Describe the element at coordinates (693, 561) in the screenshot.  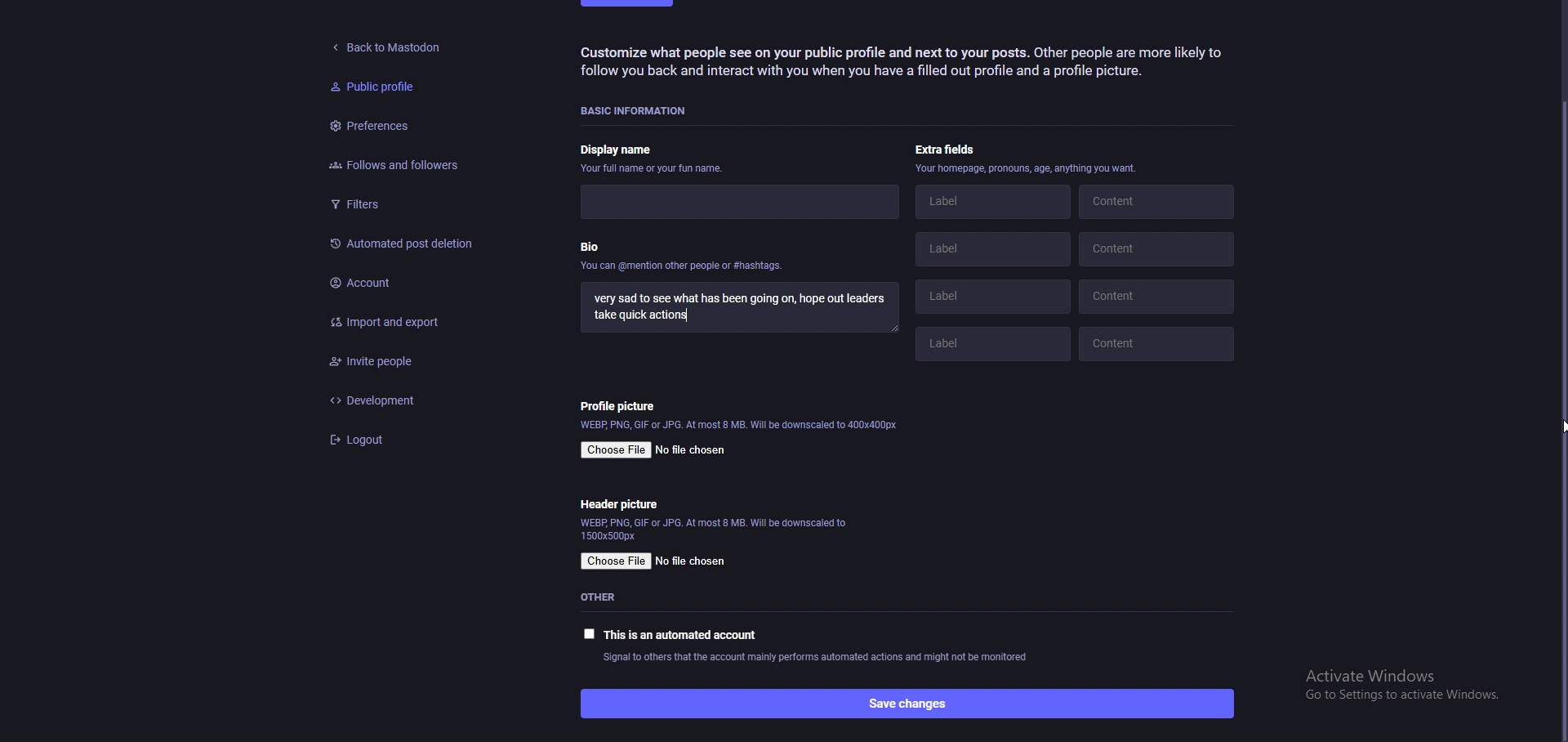
I see `no file chosen` at that location.